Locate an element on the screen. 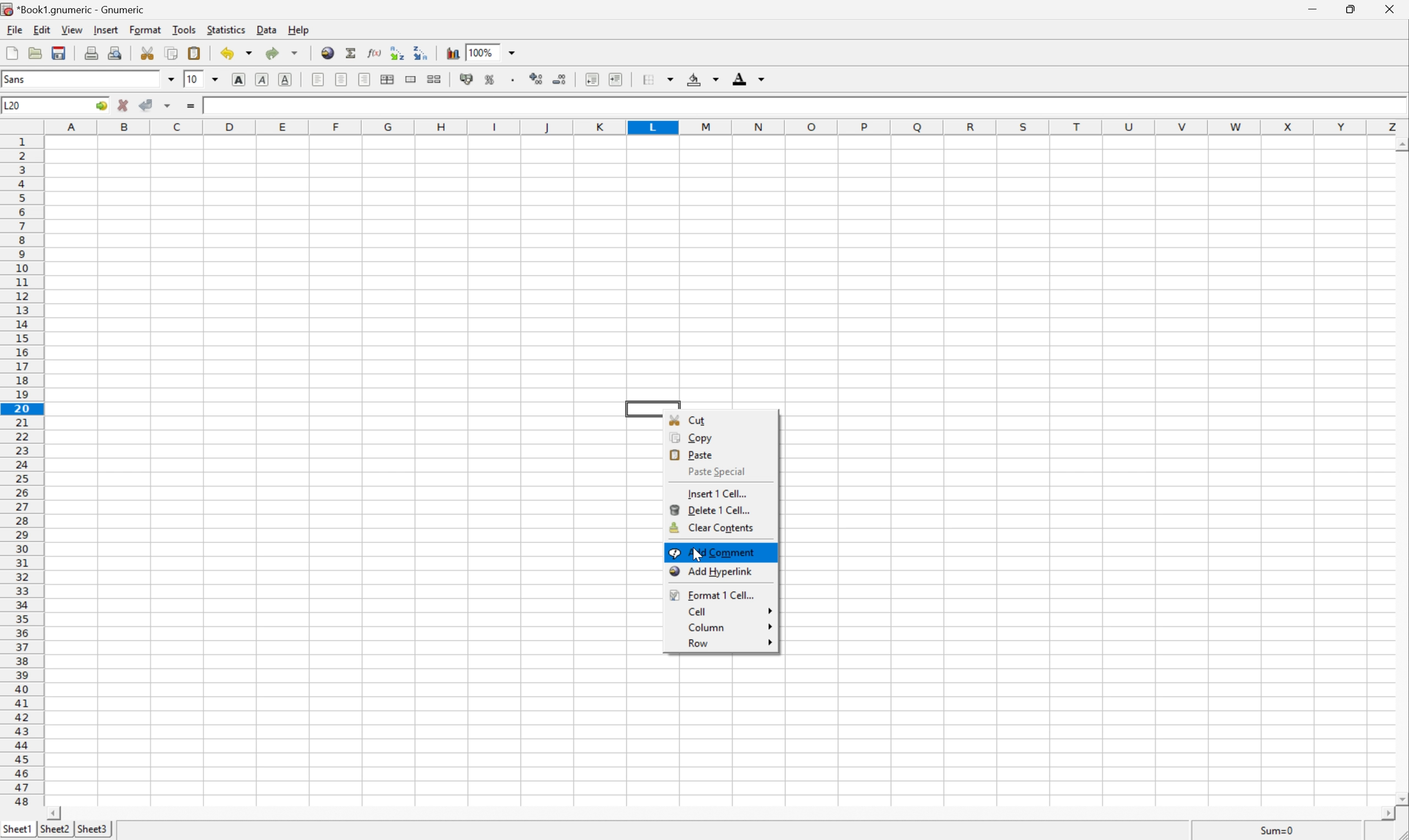  Split the ranges of merged cells is located at coordinates (435, 78).